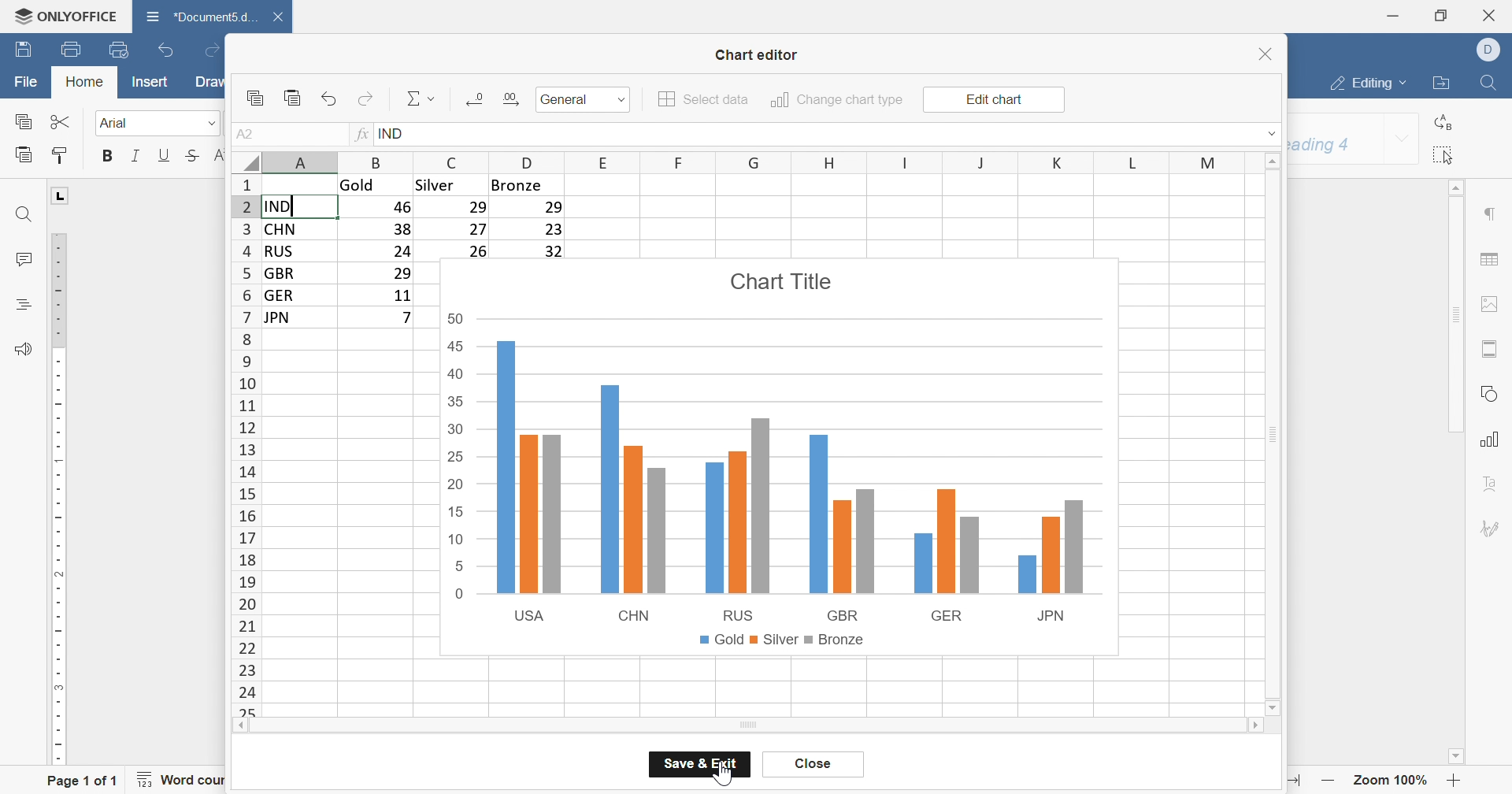 This screenshot has height=794, width=1512. I want to click on change chart type, so click(836, 100).